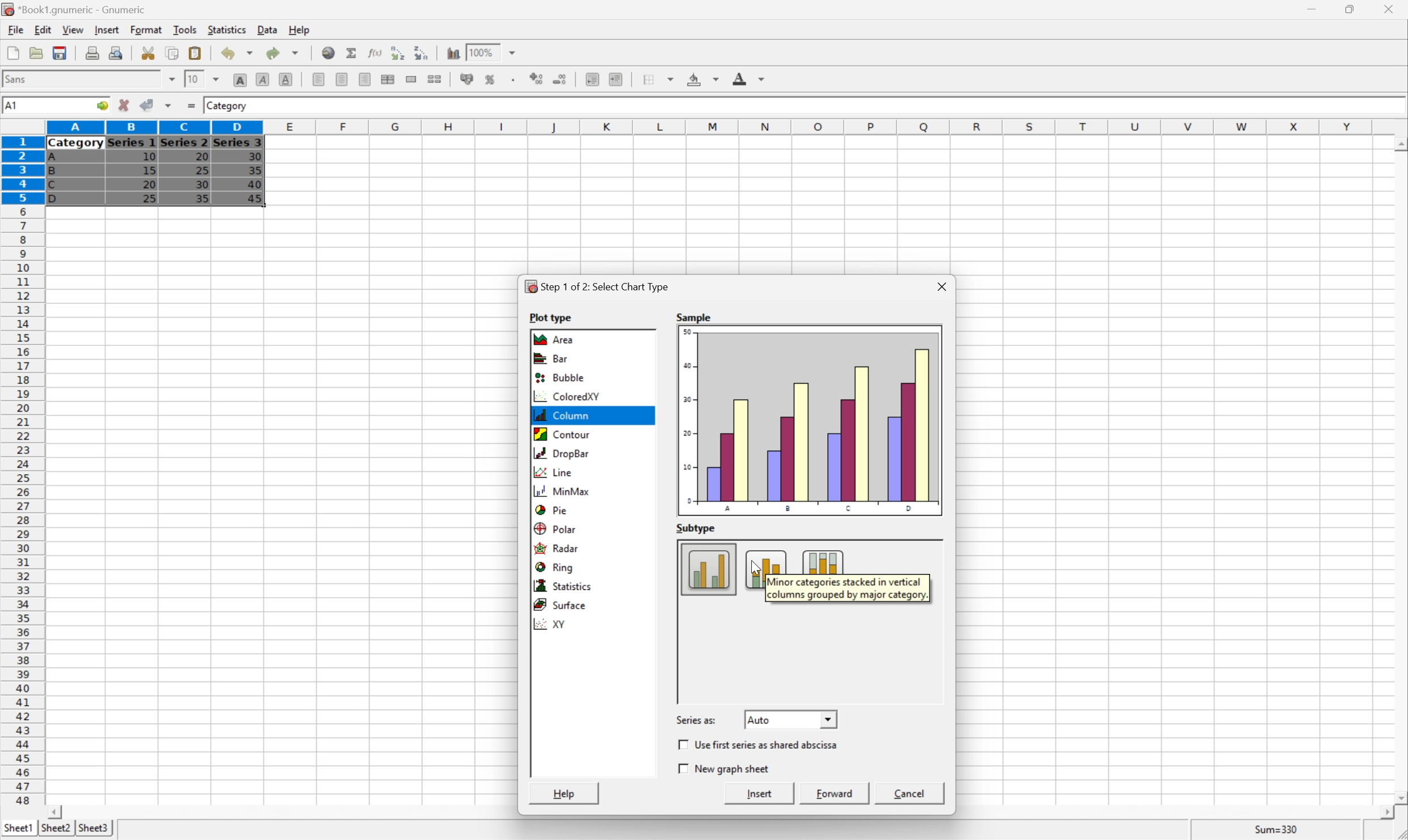 This screenshot has height=840, width=1408. I want to click on Cancel, so click(914, 794).